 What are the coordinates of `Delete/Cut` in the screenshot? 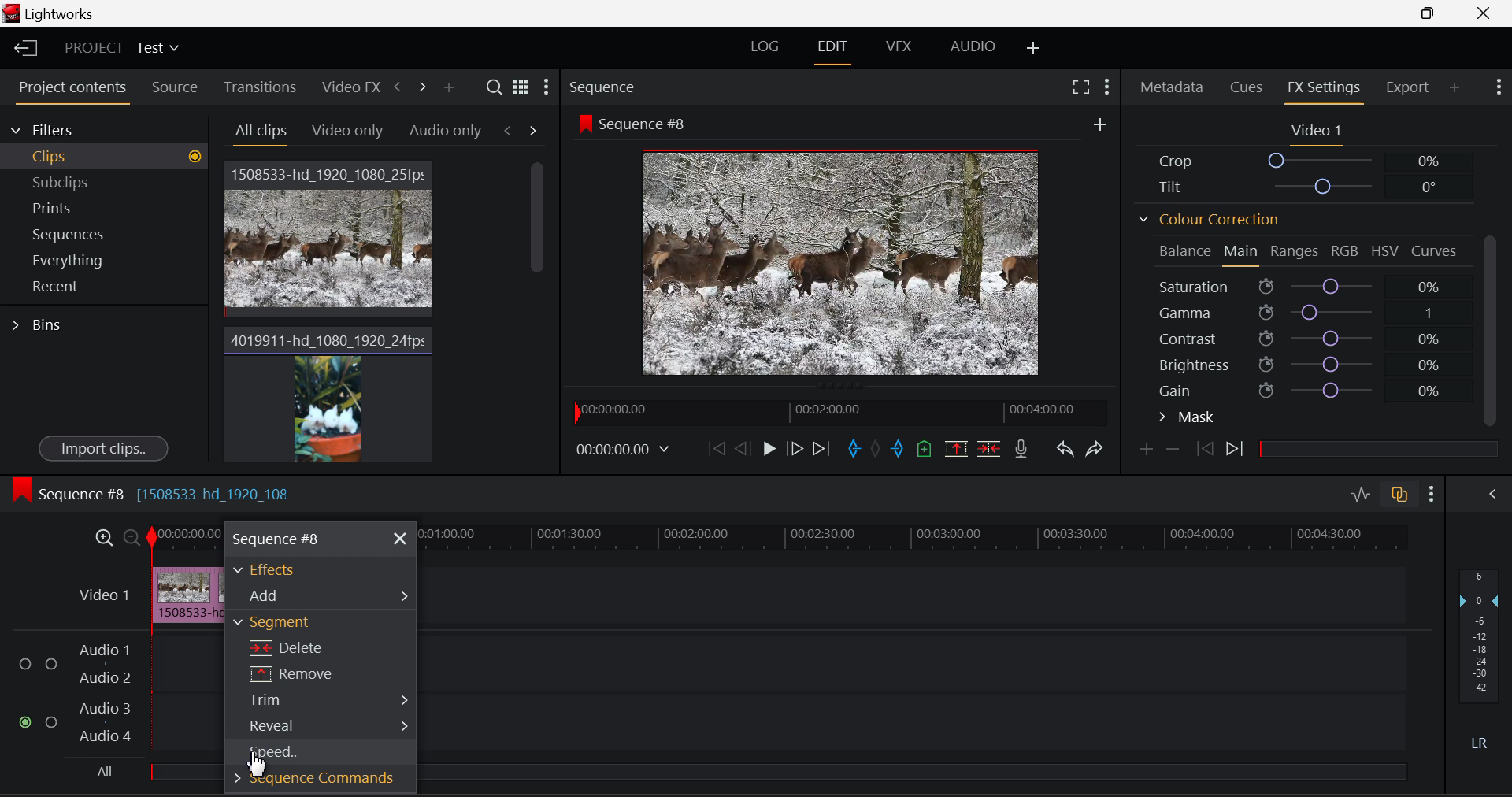 It's located at (989, 449).